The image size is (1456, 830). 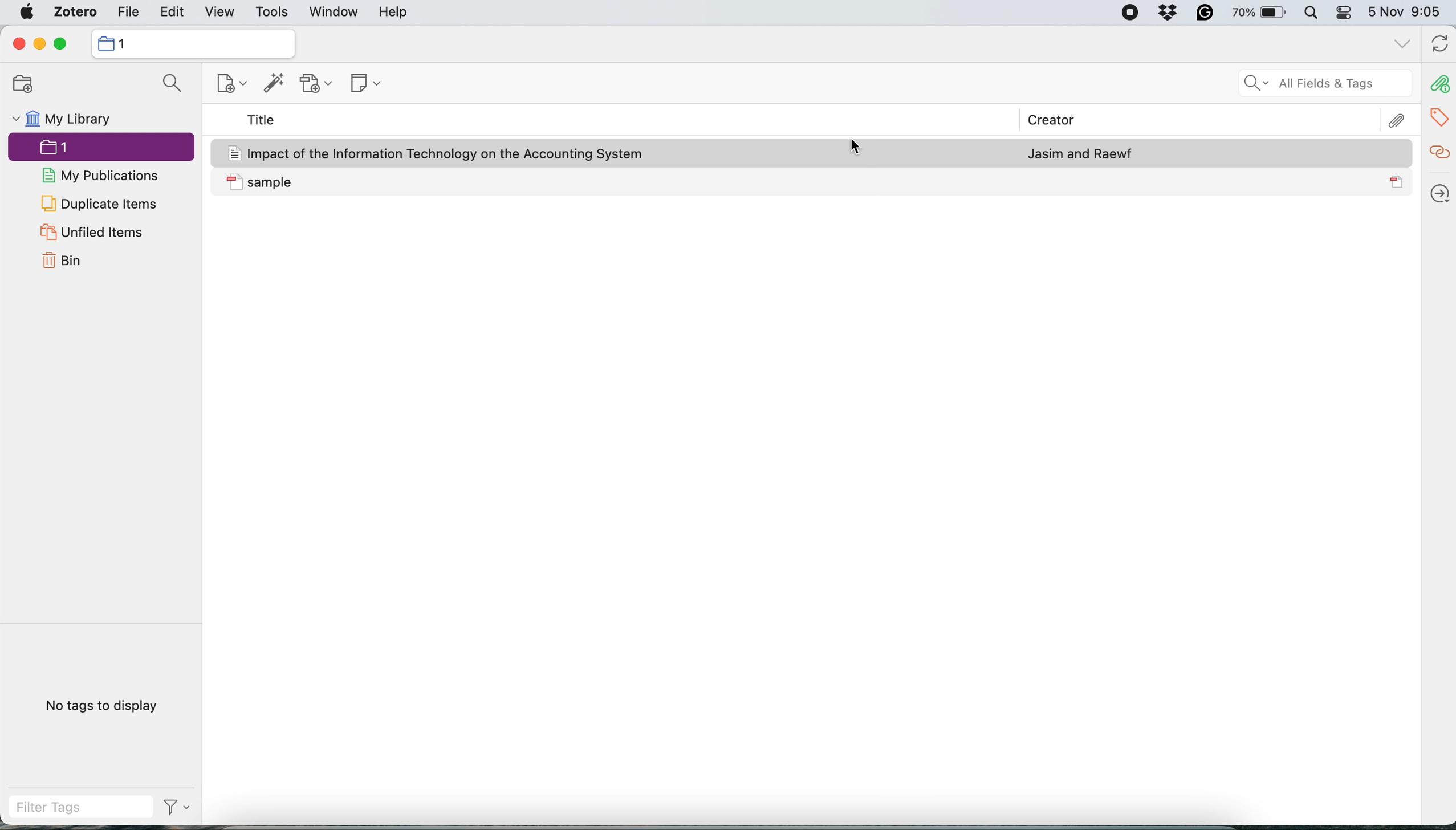 What do you see at coordinates (223, 86) in the screenshot?
I see `new collection` at bounding box center [223, 86].